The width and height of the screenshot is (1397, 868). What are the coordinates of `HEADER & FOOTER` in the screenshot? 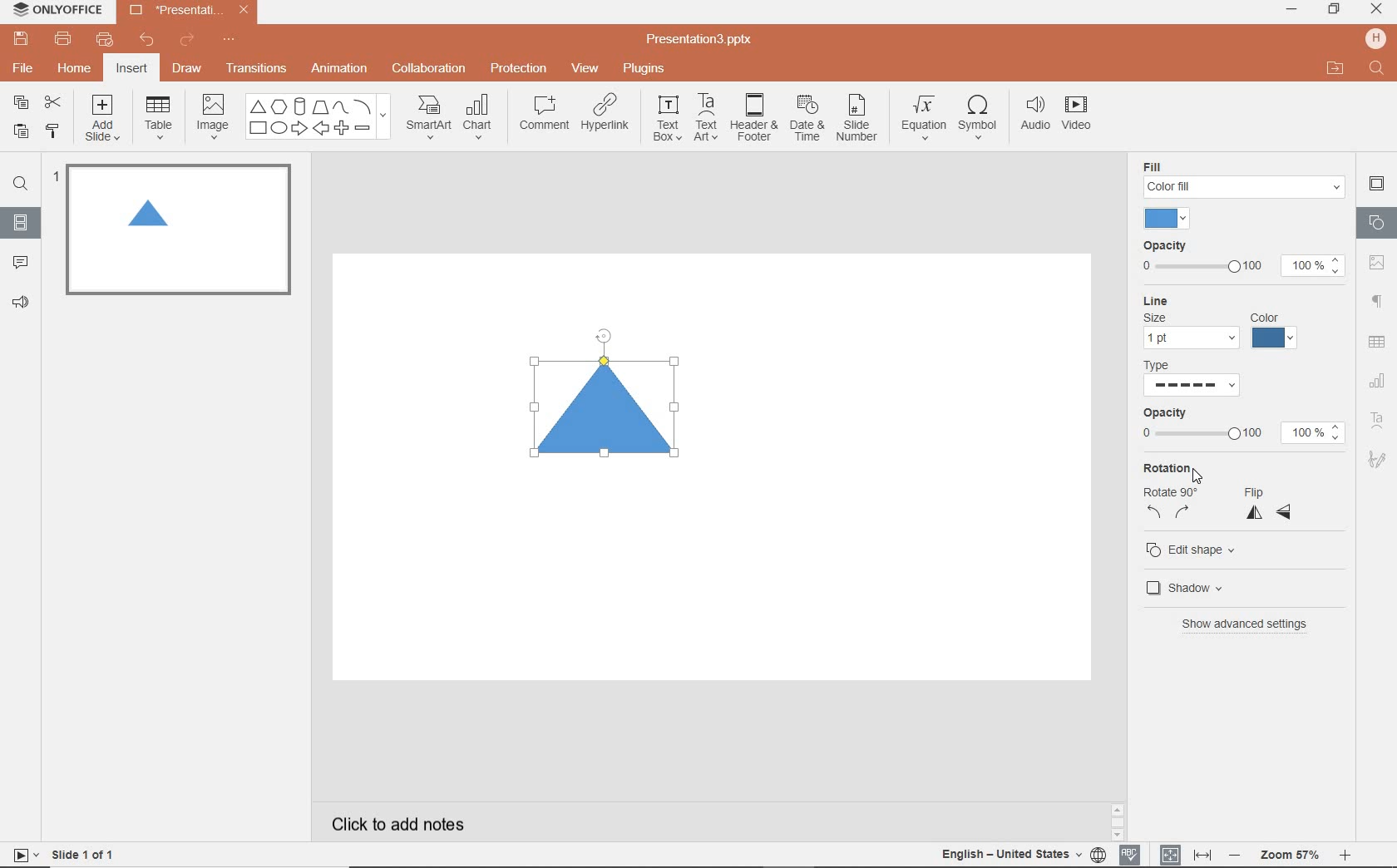 It's located at (753, 117).